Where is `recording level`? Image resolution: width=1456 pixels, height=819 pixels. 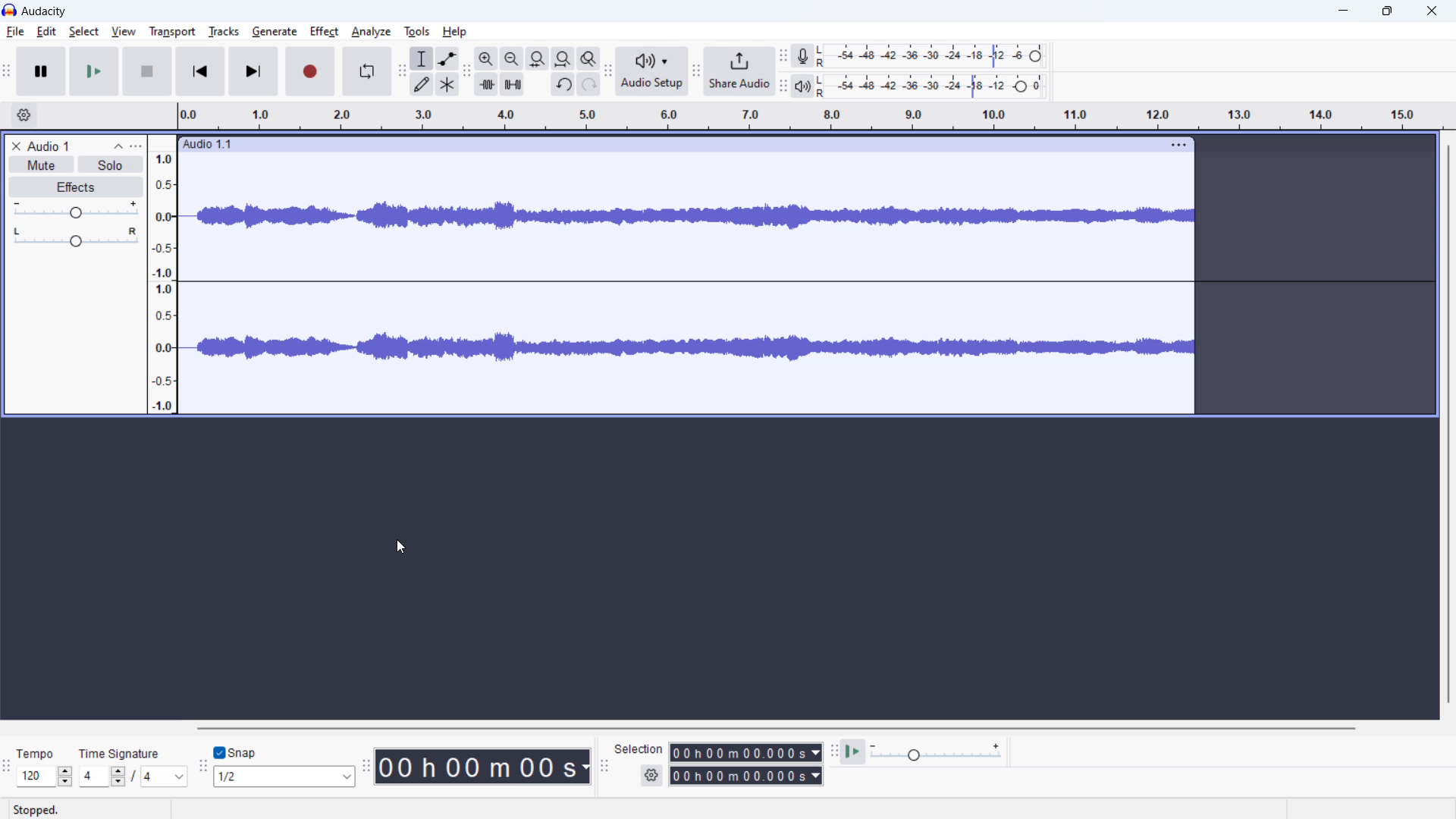 recording level is located at coordinates (930, 55).